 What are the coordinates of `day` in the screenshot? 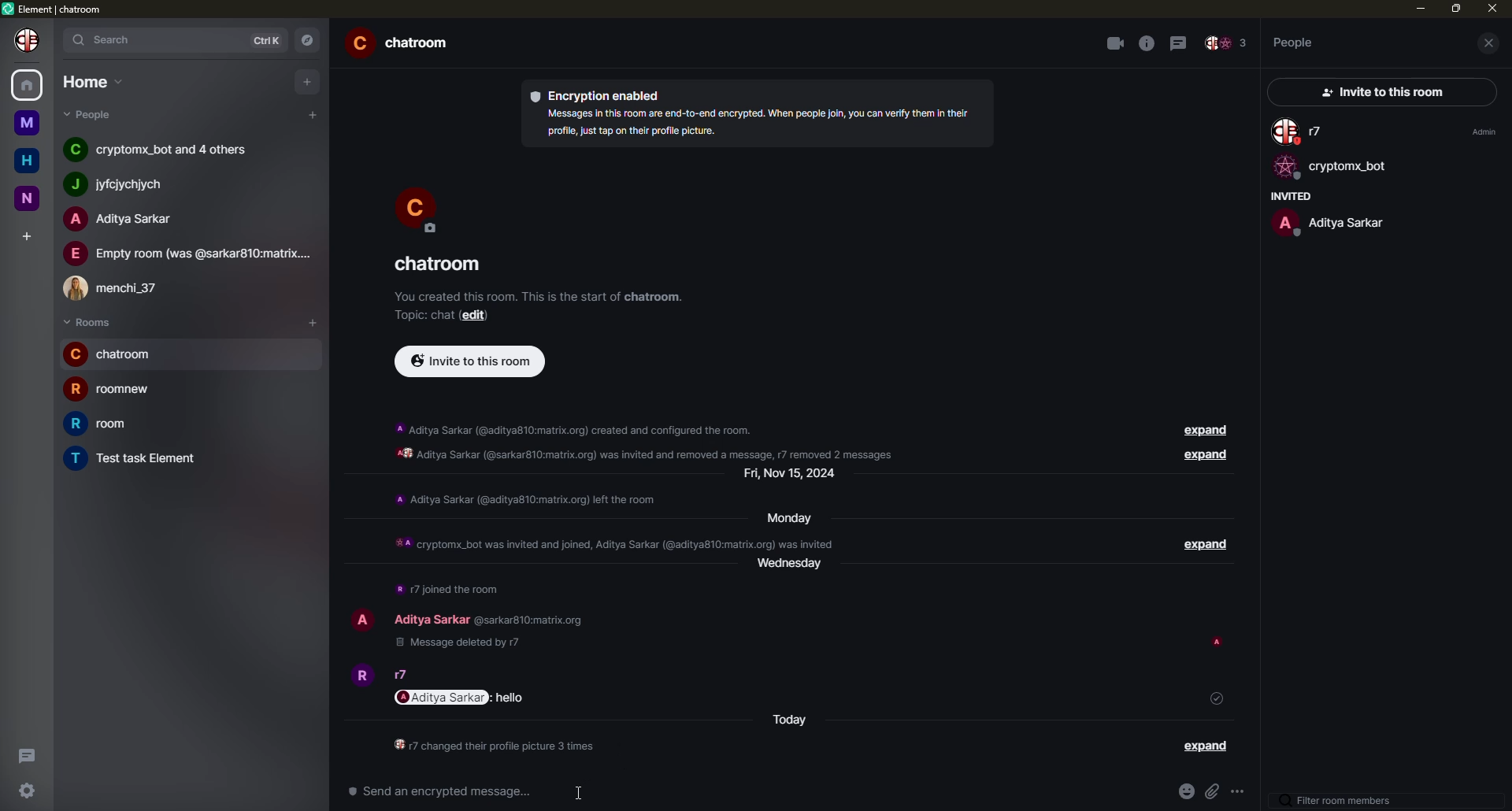 It's located at (795, 475).